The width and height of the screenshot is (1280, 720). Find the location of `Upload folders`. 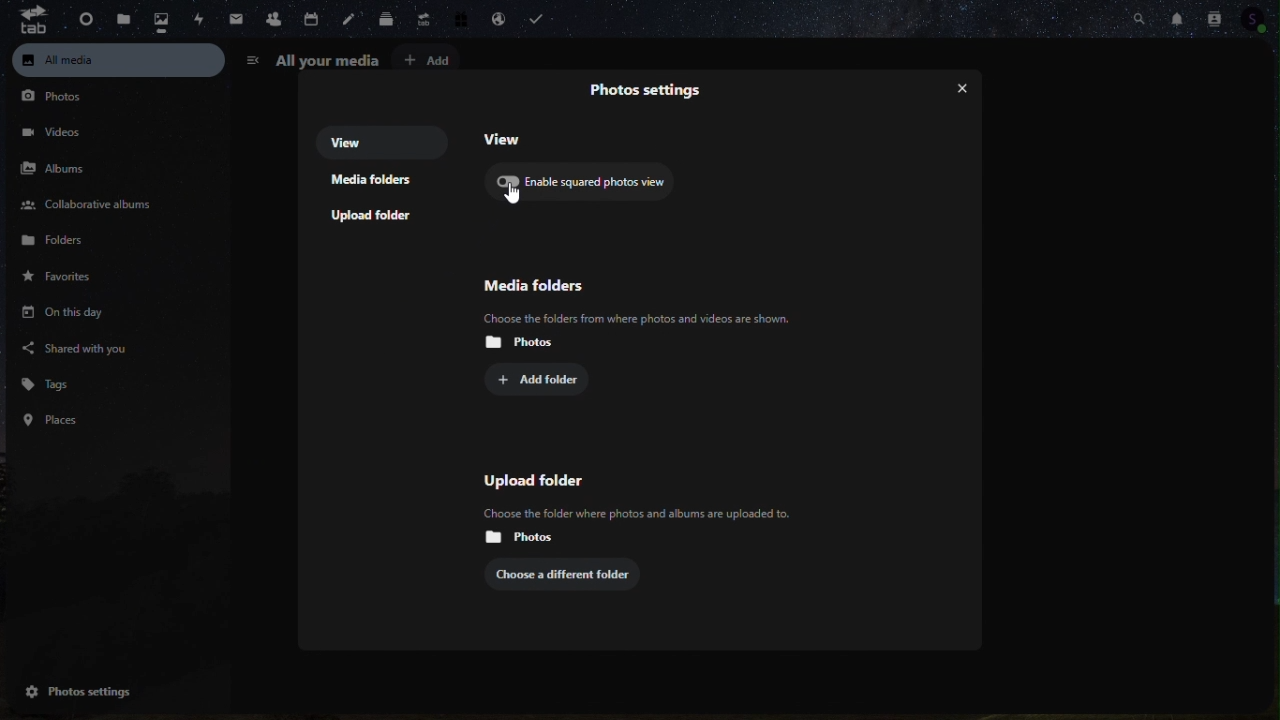

Upload folders is located at coordinates (380, 218).